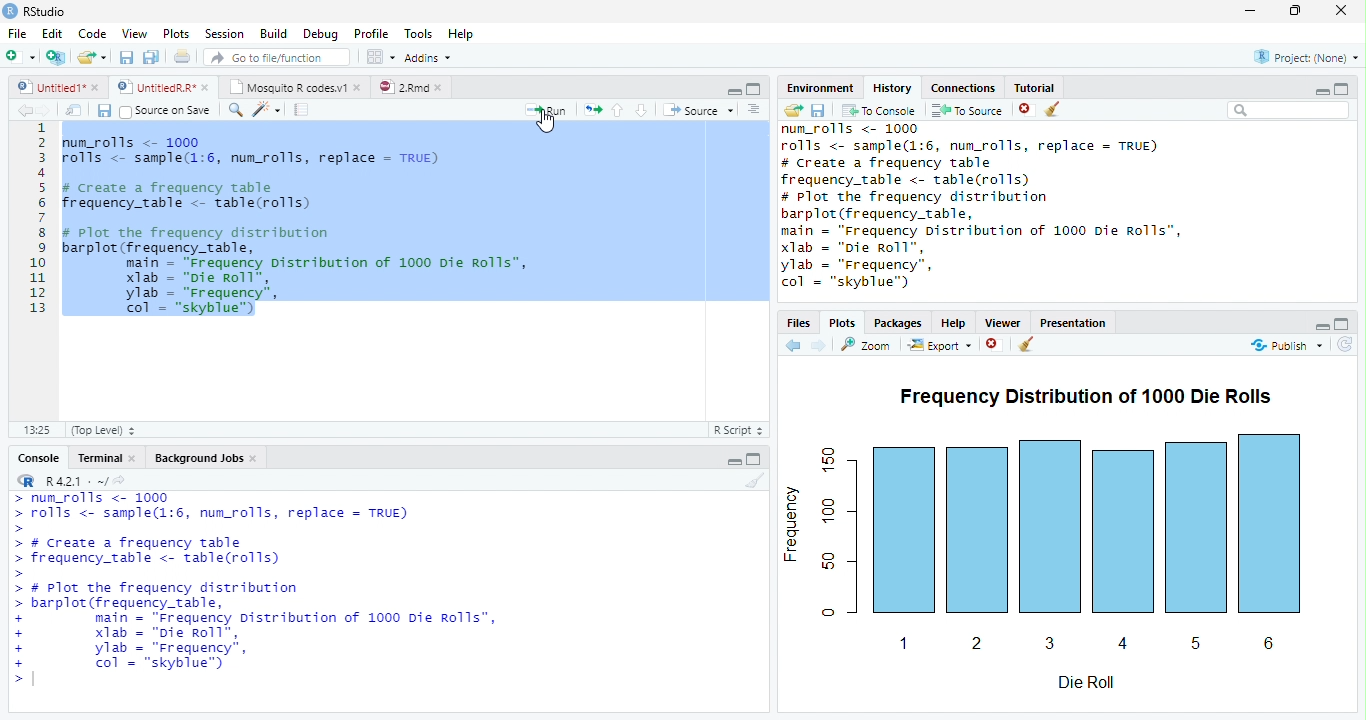 The height and width of the screenshot is (720, 1366). I want to click on Workspace panes, so click(379, 57).